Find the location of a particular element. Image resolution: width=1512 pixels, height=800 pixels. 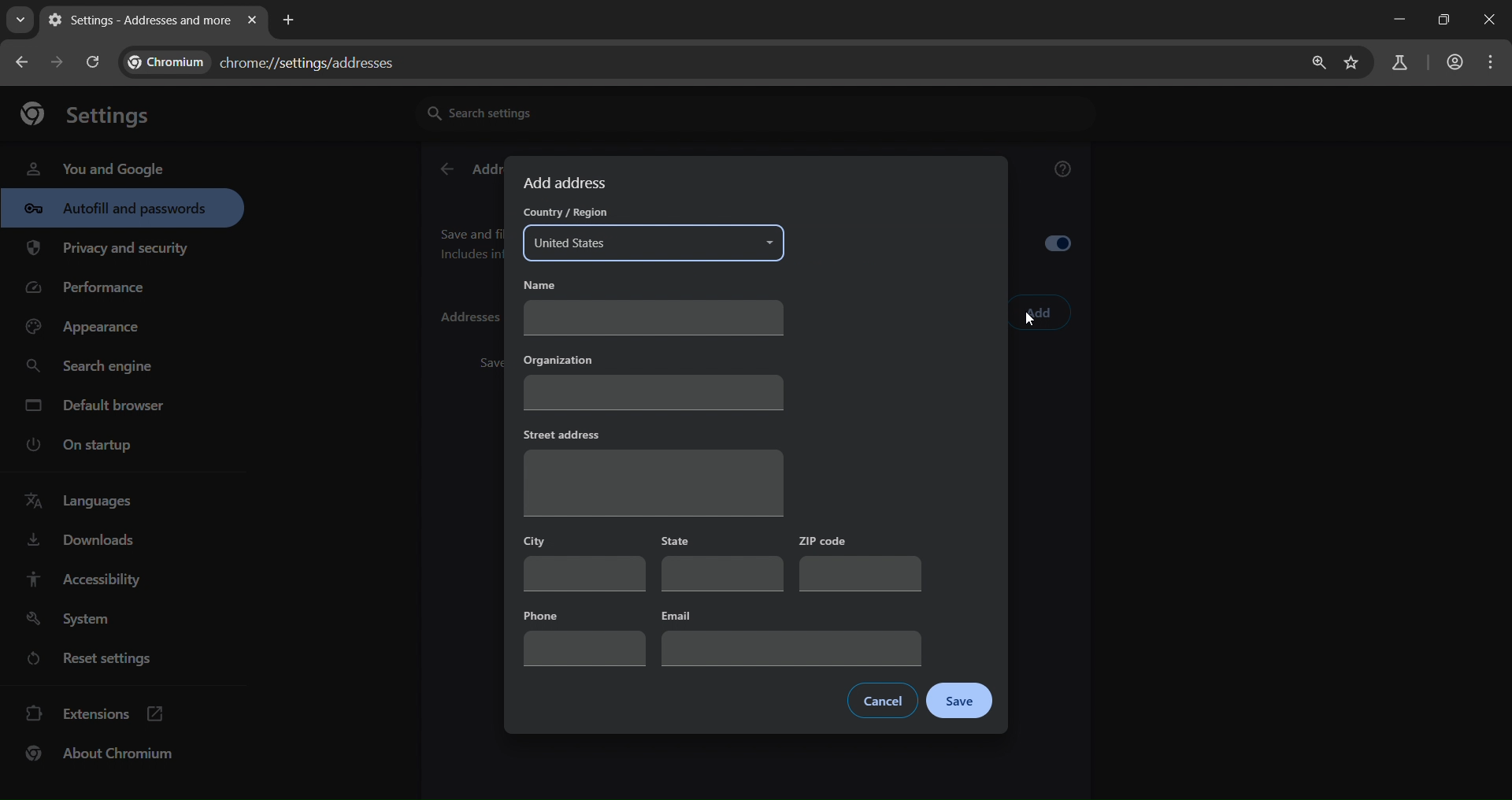

bookmark page is located at coordinates (1352, 64).